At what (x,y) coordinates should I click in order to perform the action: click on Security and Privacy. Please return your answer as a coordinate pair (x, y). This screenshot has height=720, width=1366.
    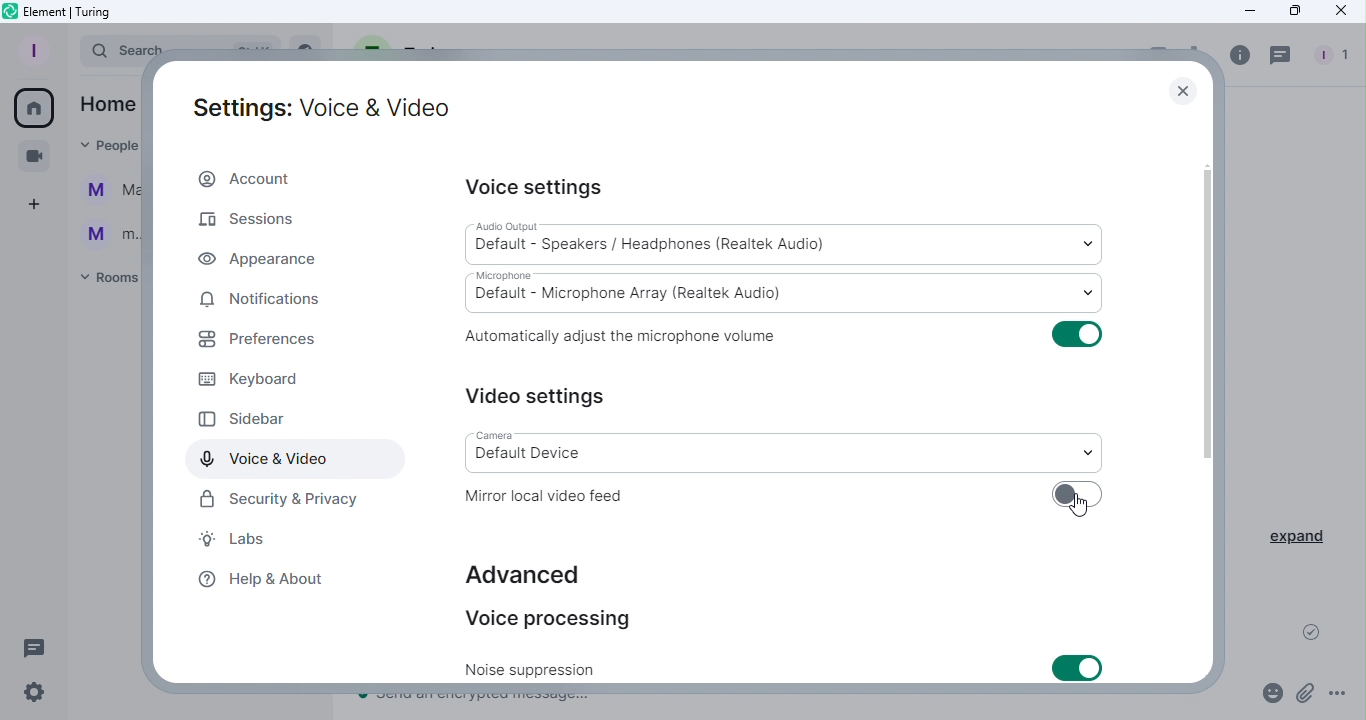
    Looking at the image, I should click on (278, 499).